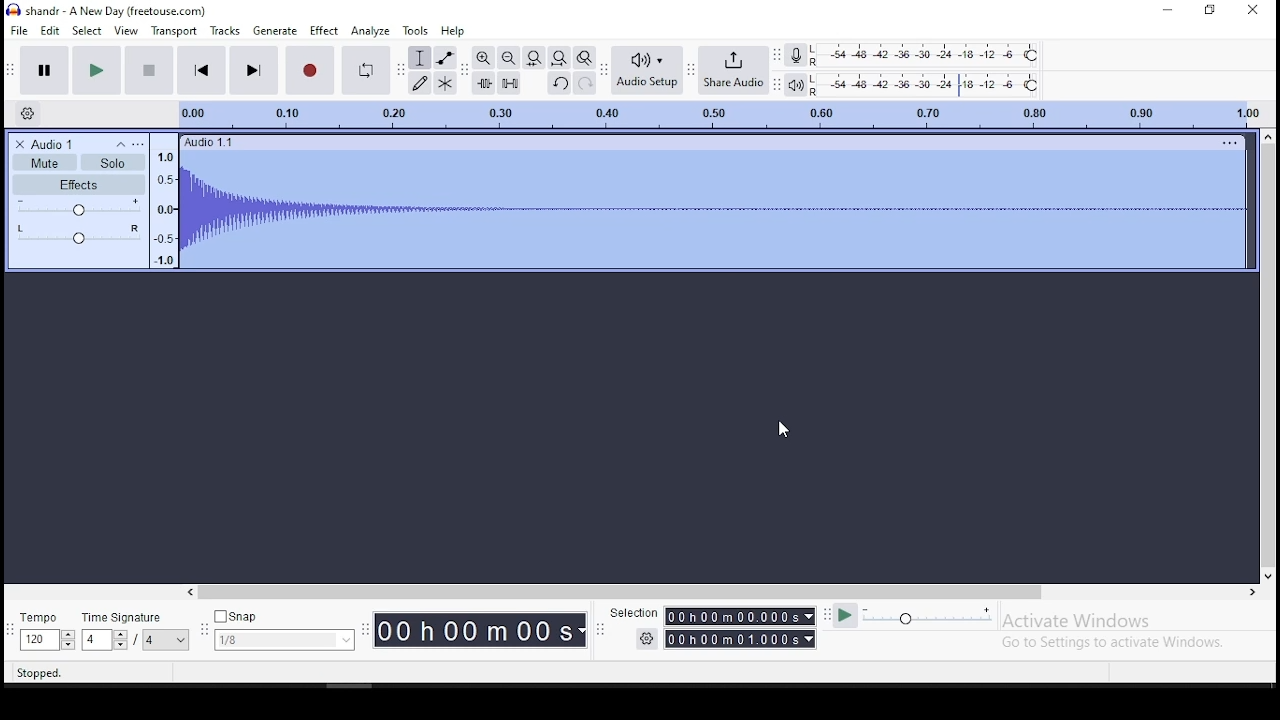 This screenshot has width=1280, height=720. What do you see at coordinates (533, 58) in the screenshot?
I see `fit selection to width` at bounding box center [533, 58].